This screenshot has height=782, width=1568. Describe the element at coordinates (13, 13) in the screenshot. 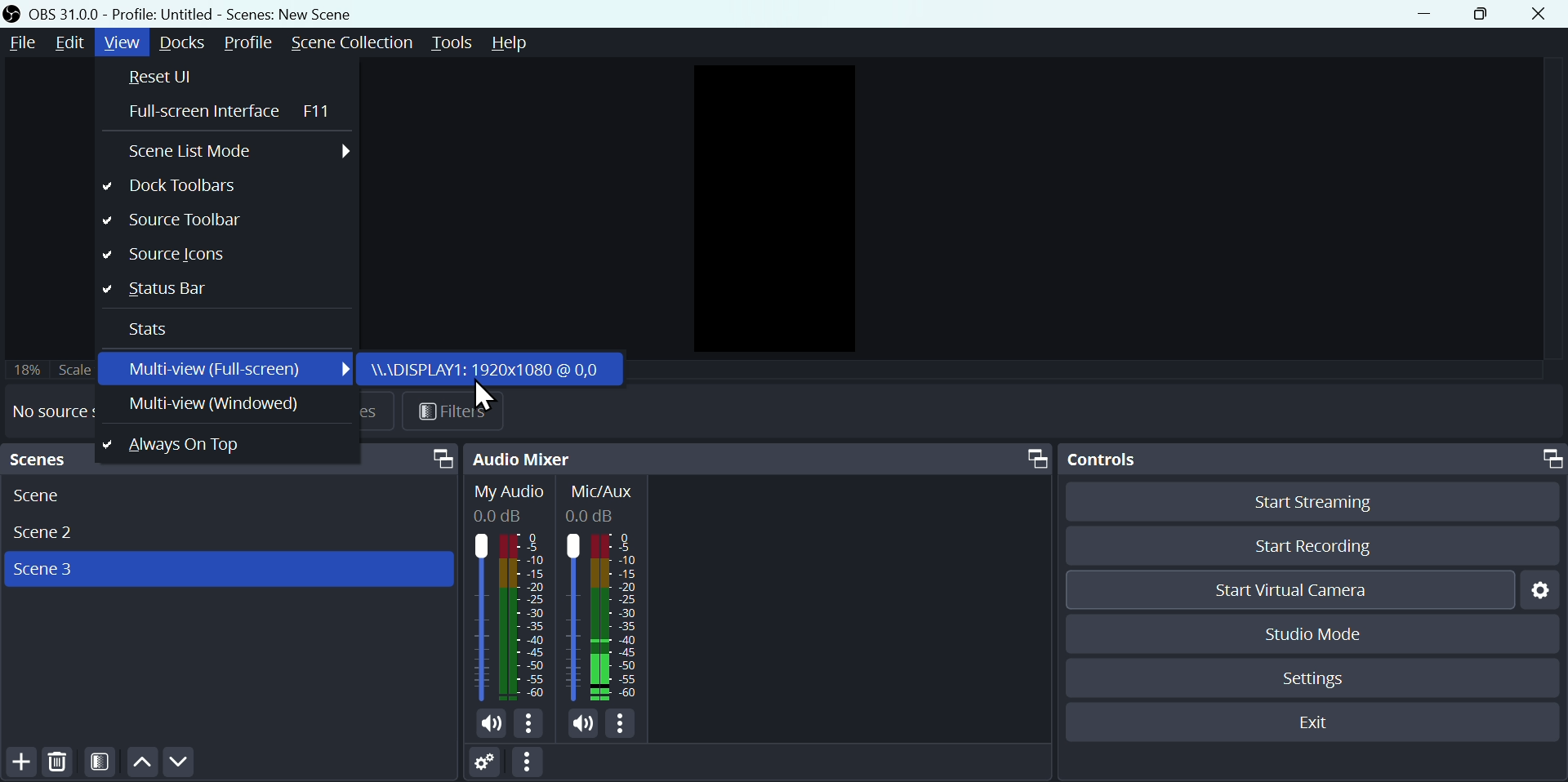

I see `OBS Desktop icon` at that location.